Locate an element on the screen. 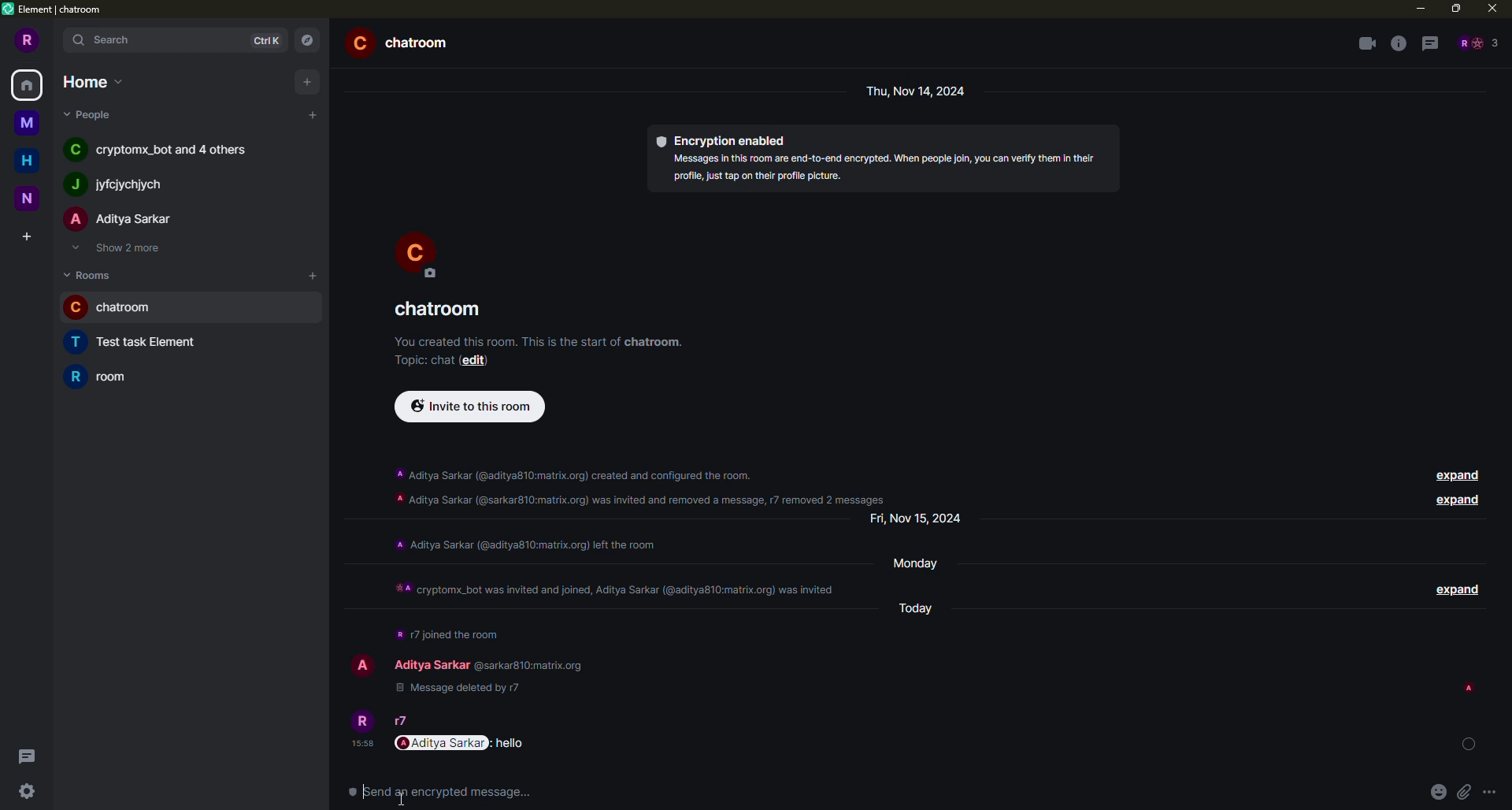  navigator is located at coordinates (307, 39).